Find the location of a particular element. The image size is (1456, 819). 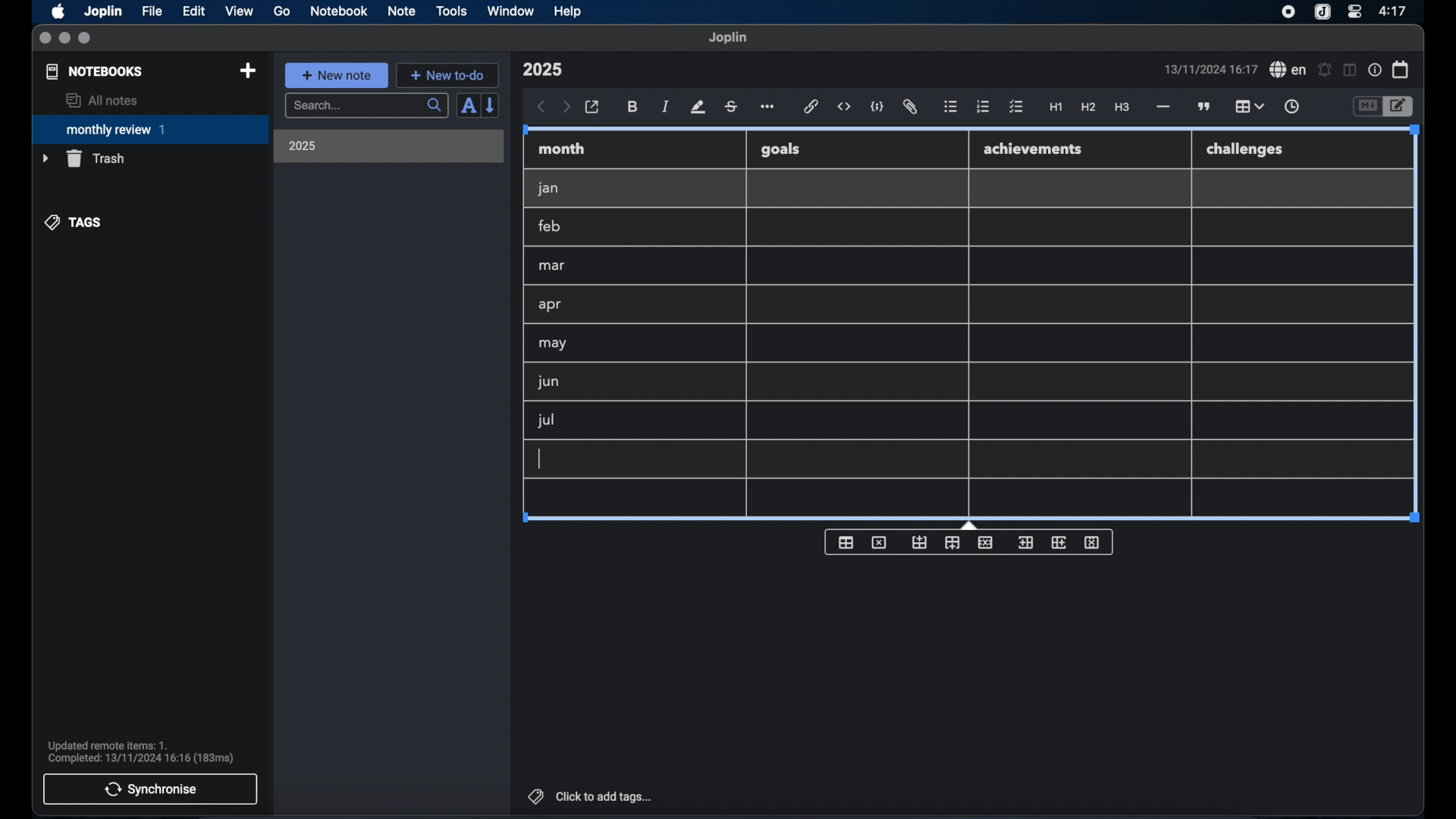

set alarm is located at coordinates (1325, 71).